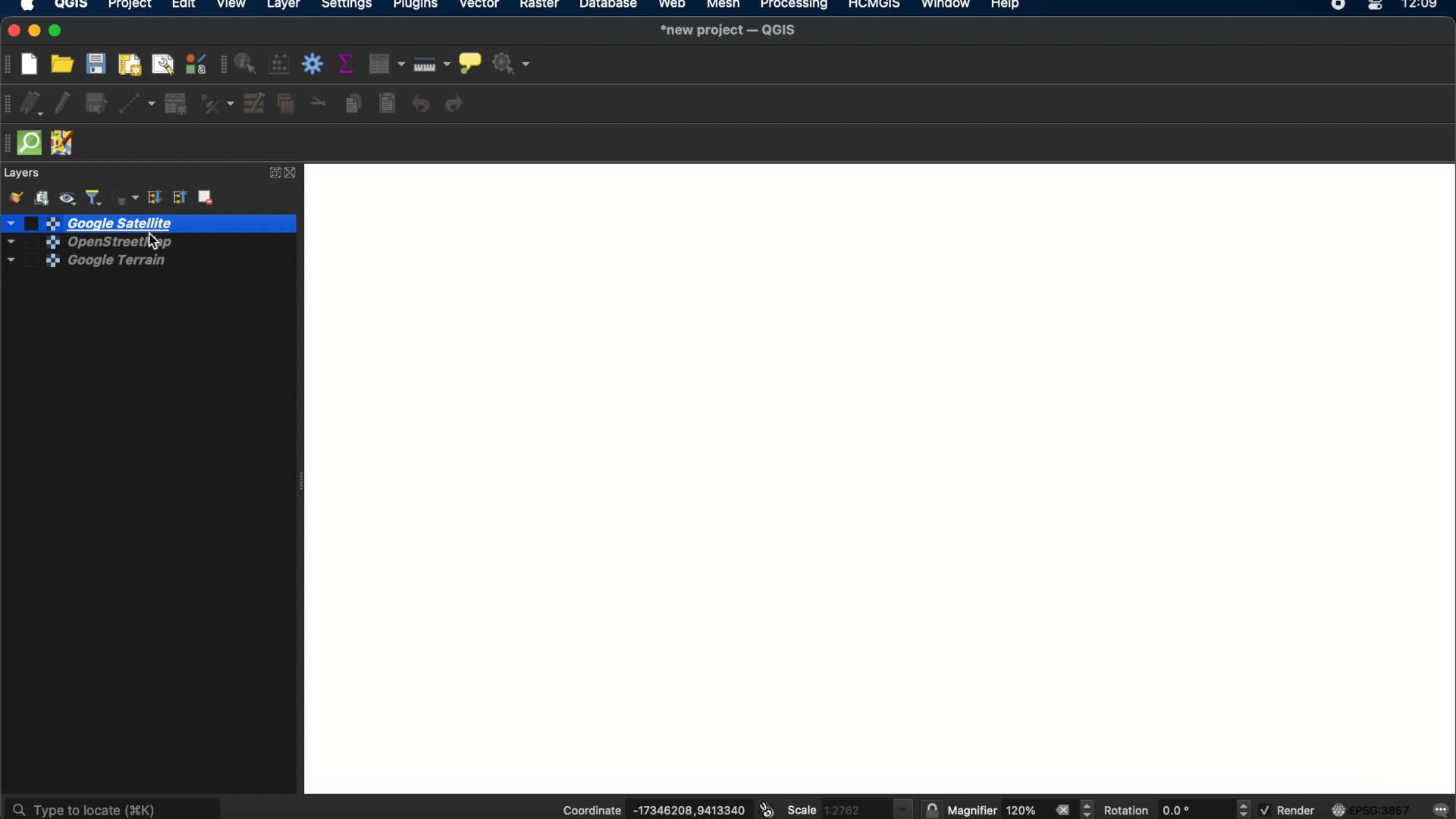  Describe the element at coordinates (1062, 810) in the screenshot. I see `close` at that location.